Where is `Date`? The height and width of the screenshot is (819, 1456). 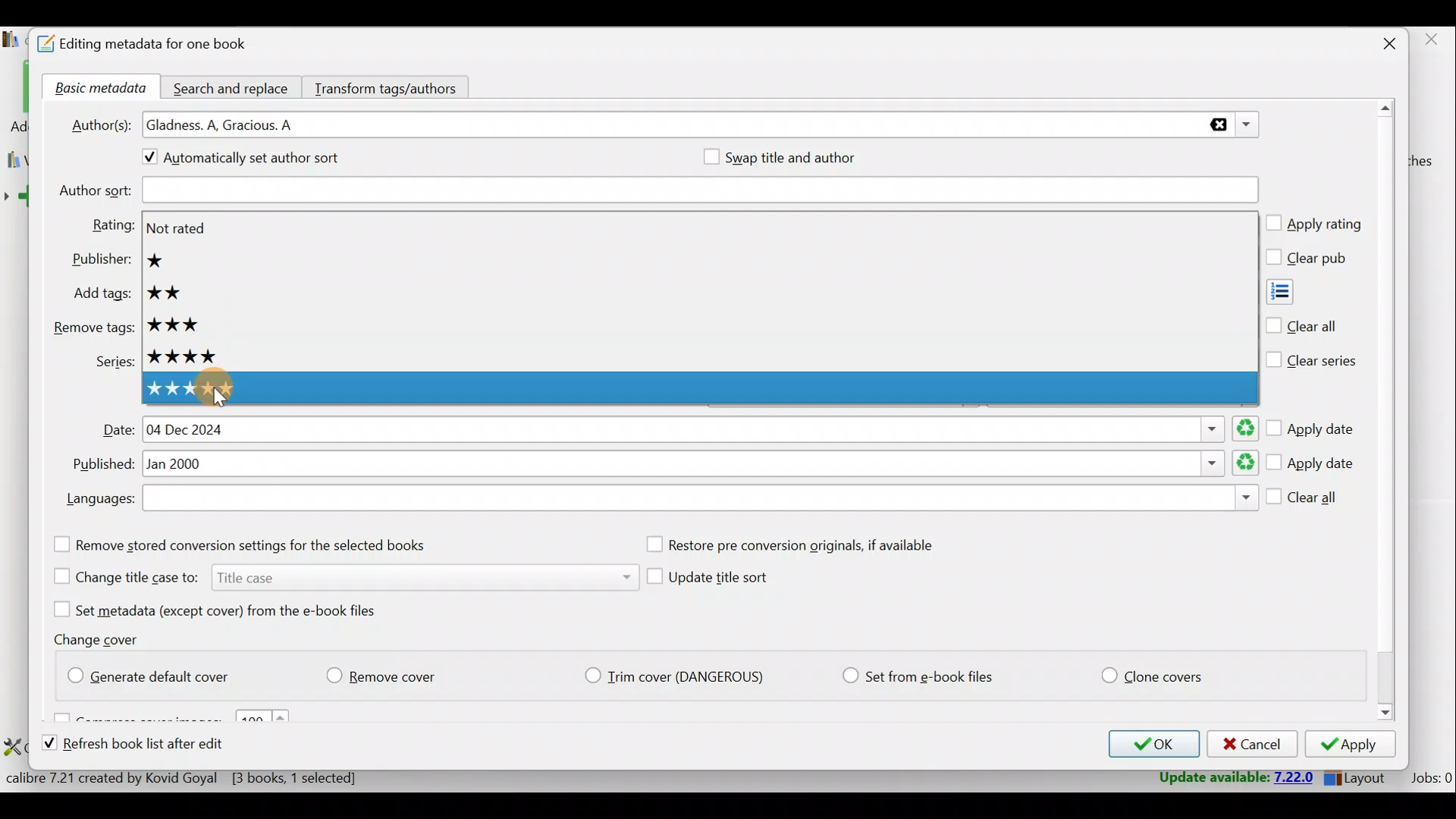 Date is located at coordinates (698, 429).